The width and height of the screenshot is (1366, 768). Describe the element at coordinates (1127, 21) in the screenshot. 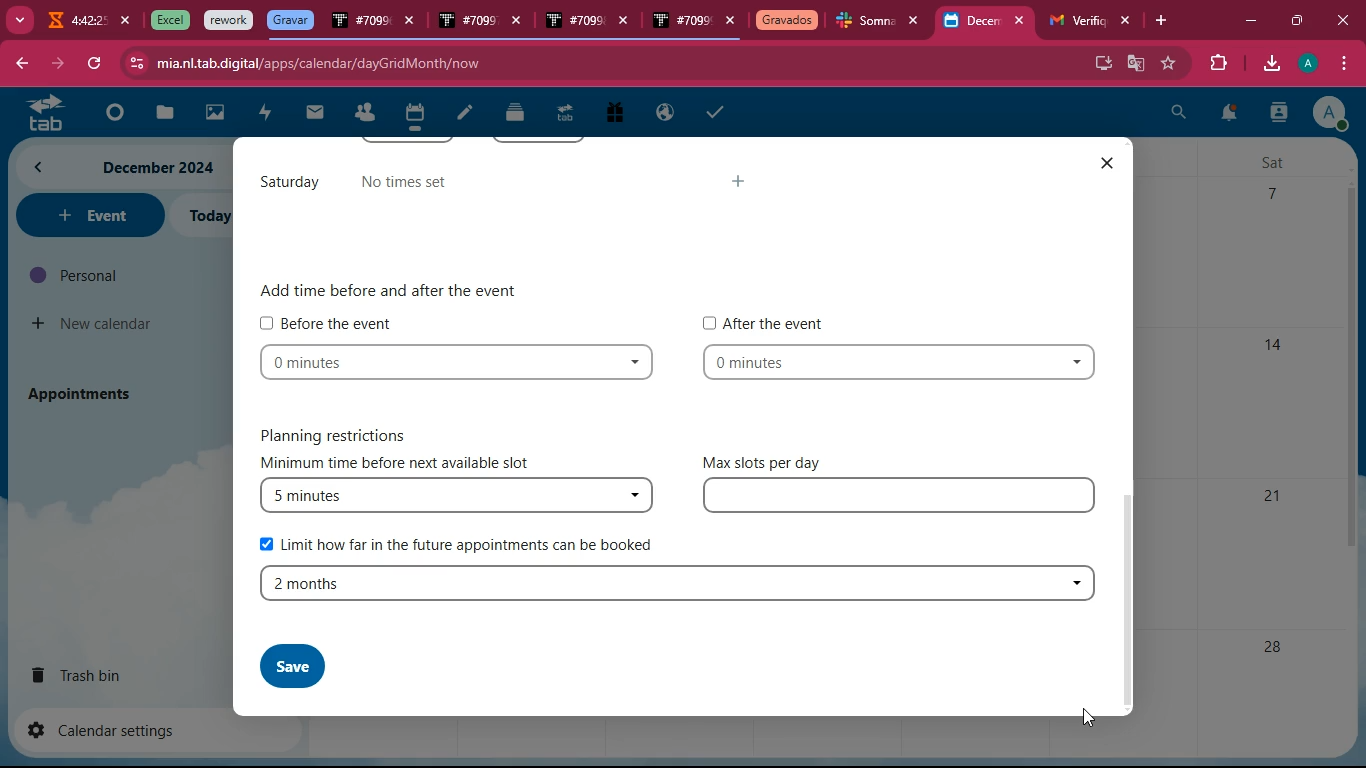

I see `close` at that location.